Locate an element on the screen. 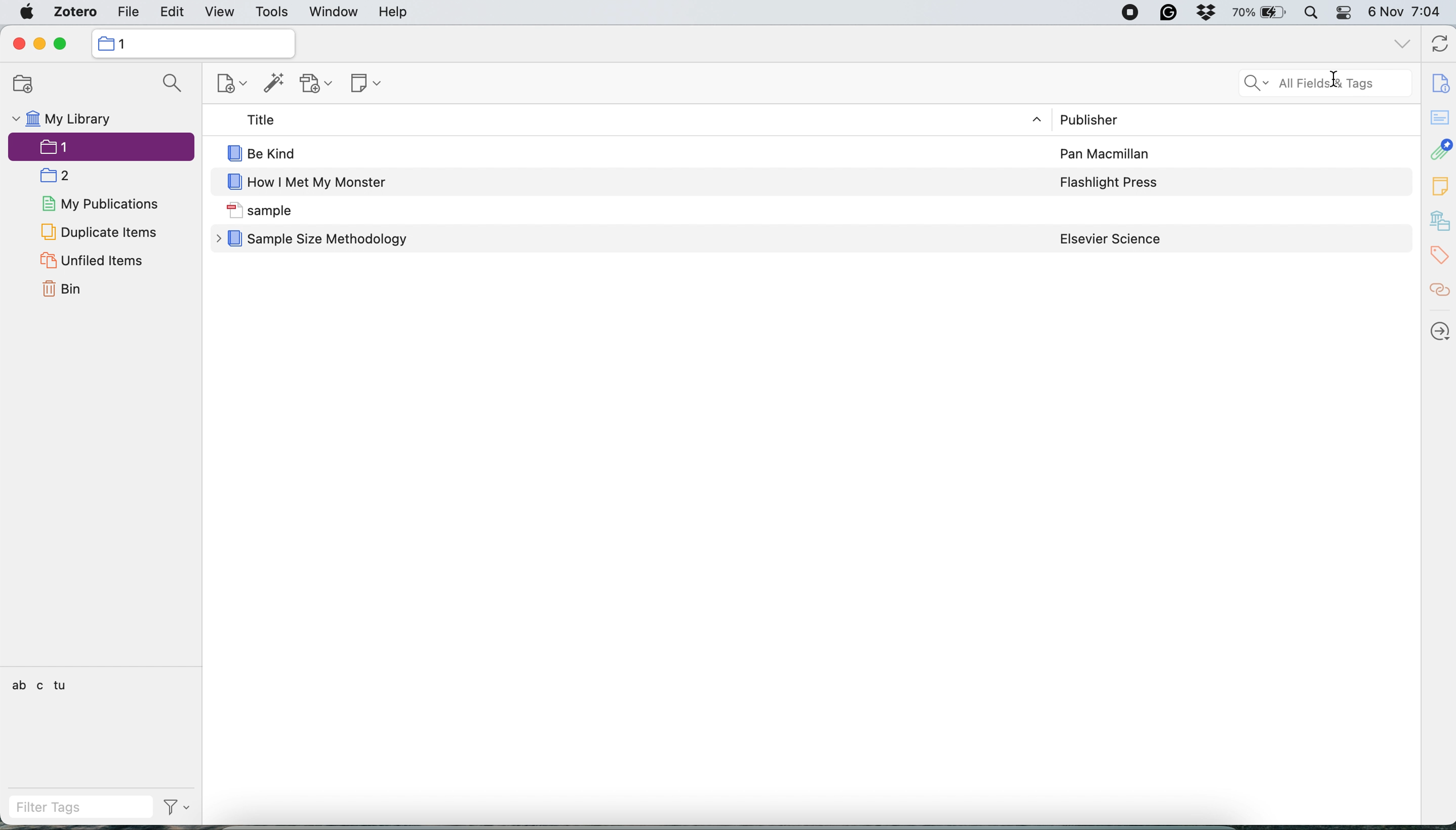  search is located at coordinates (172, 84).